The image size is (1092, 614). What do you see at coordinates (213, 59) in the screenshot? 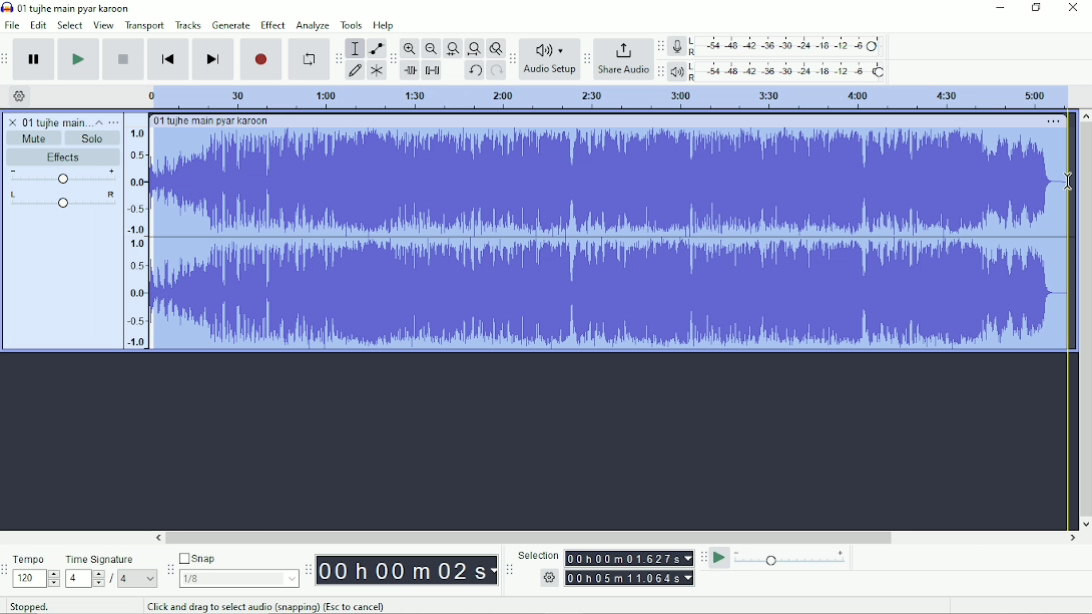
I see `Skip to end` at bounding box center [213, 59].